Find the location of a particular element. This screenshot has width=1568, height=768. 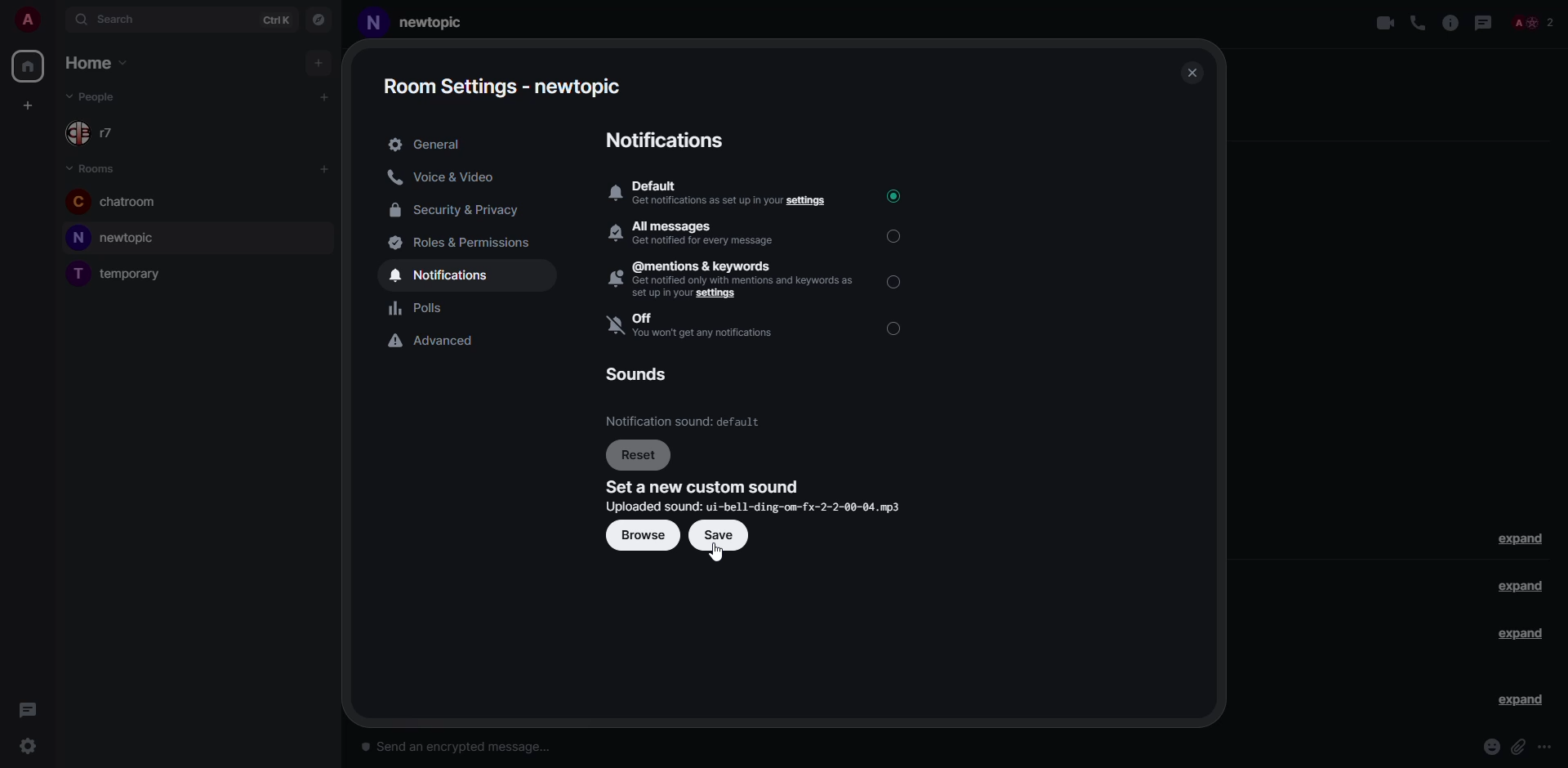

home is located at coordinates (28, 66).